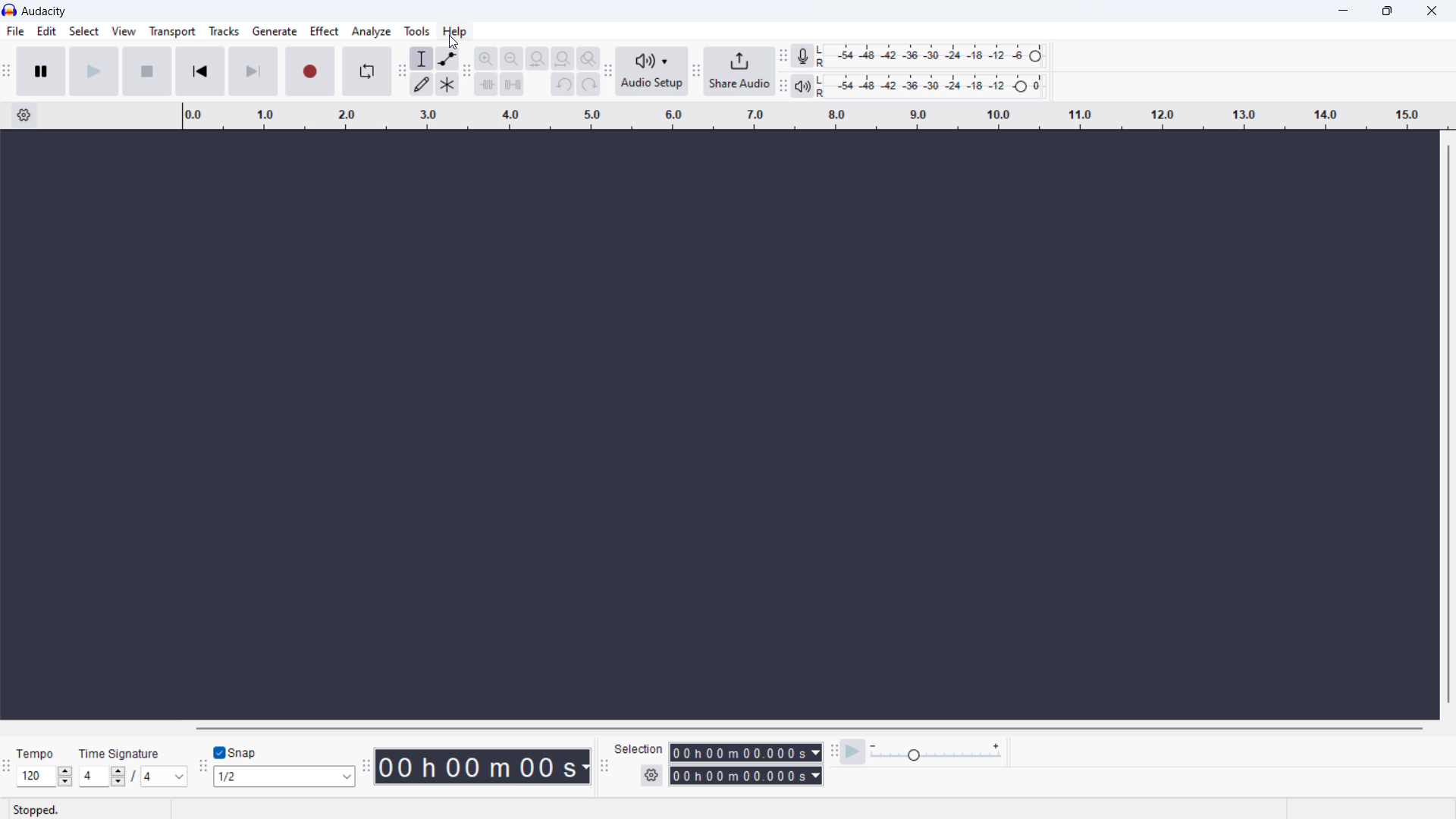 This screenshot has width=1456, height=819. I want to click on timeline settings, so click(24, 116).